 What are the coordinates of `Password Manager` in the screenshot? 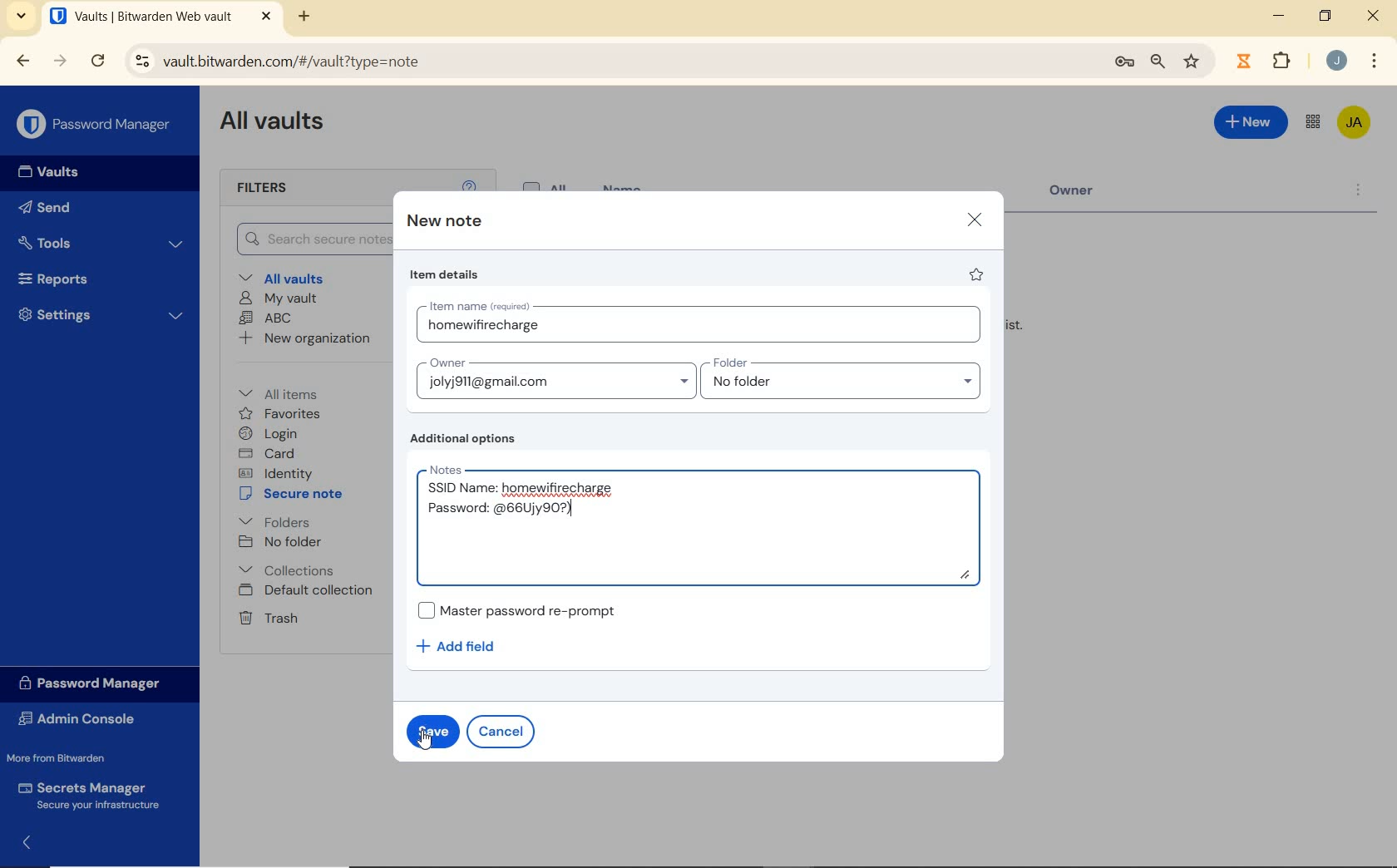 It's located at (95, 125).